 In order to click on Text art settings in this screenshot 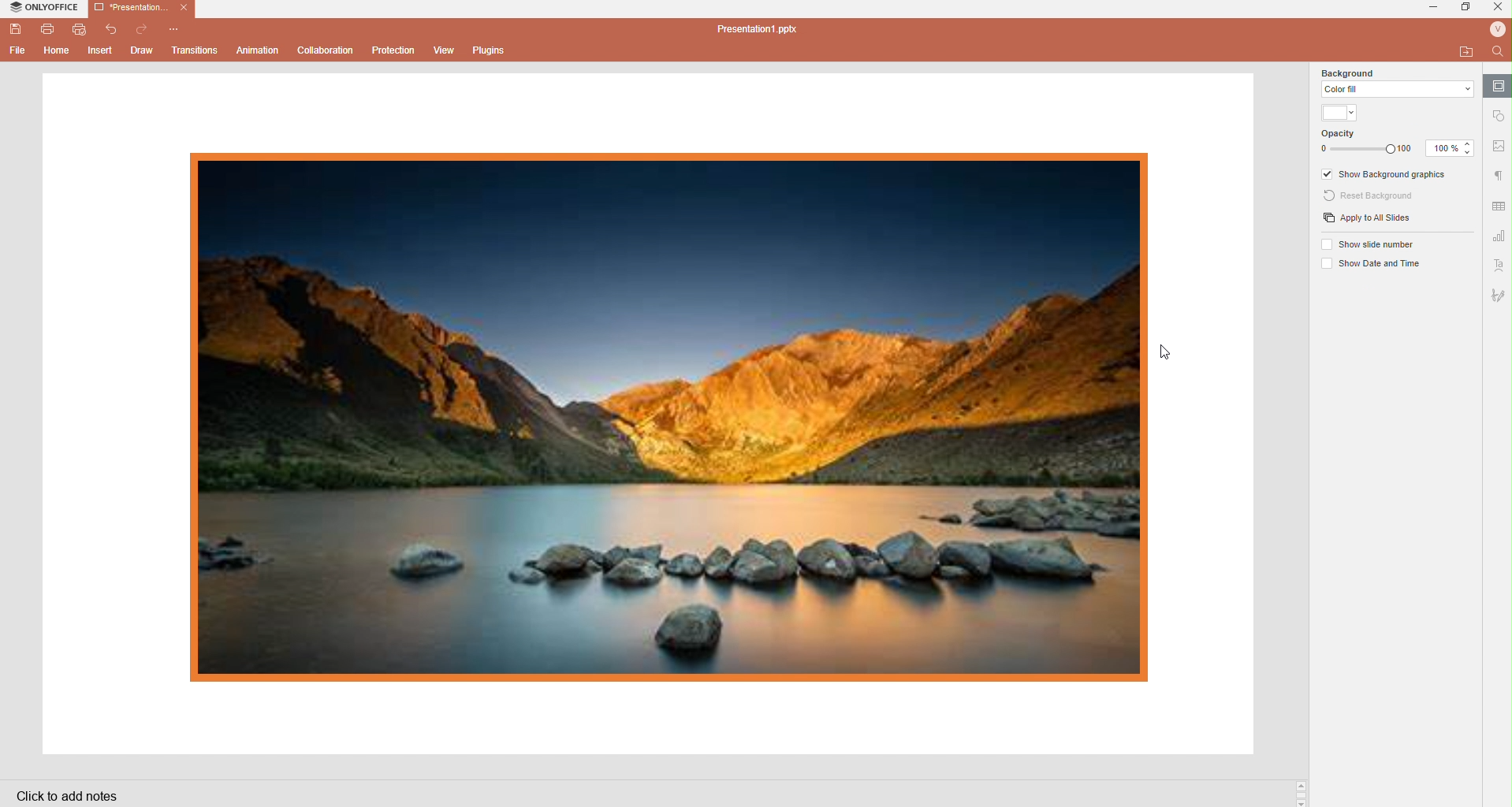, I will do `click(1499, 266)`.